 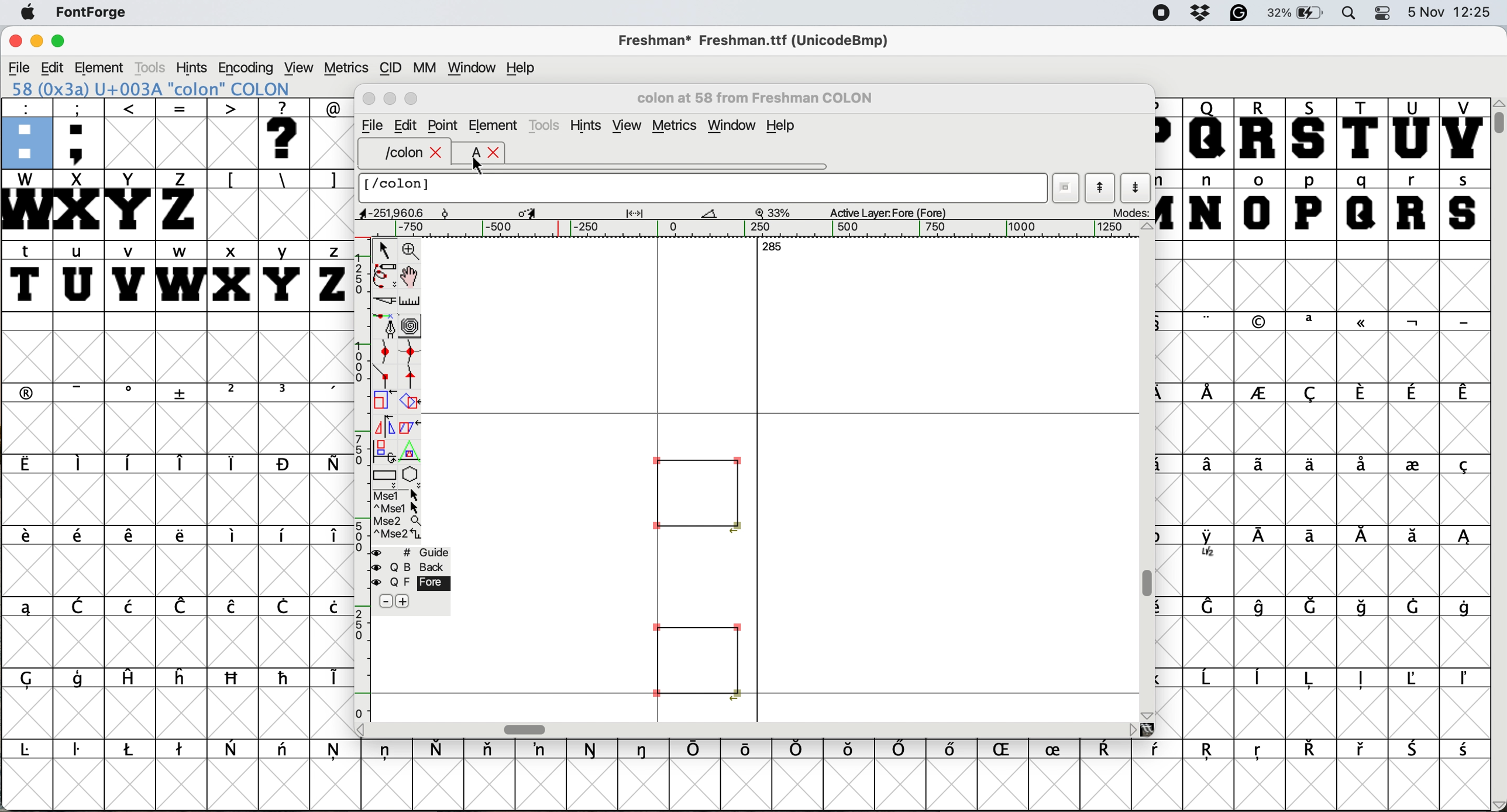 I want to click on symbol, so click(x=81, y=538).